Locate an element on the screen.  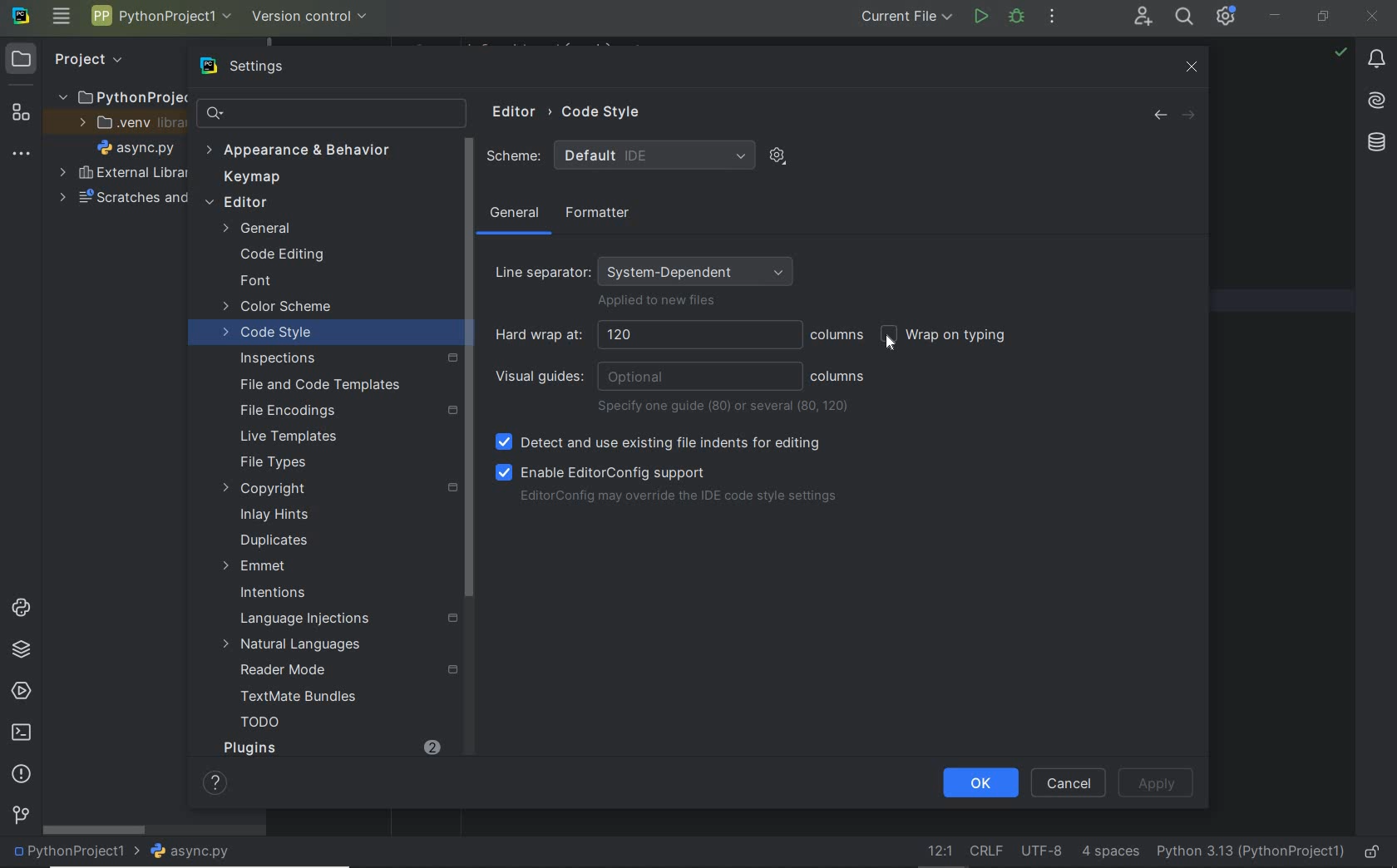
TODO is located at coordinates (260, 725).